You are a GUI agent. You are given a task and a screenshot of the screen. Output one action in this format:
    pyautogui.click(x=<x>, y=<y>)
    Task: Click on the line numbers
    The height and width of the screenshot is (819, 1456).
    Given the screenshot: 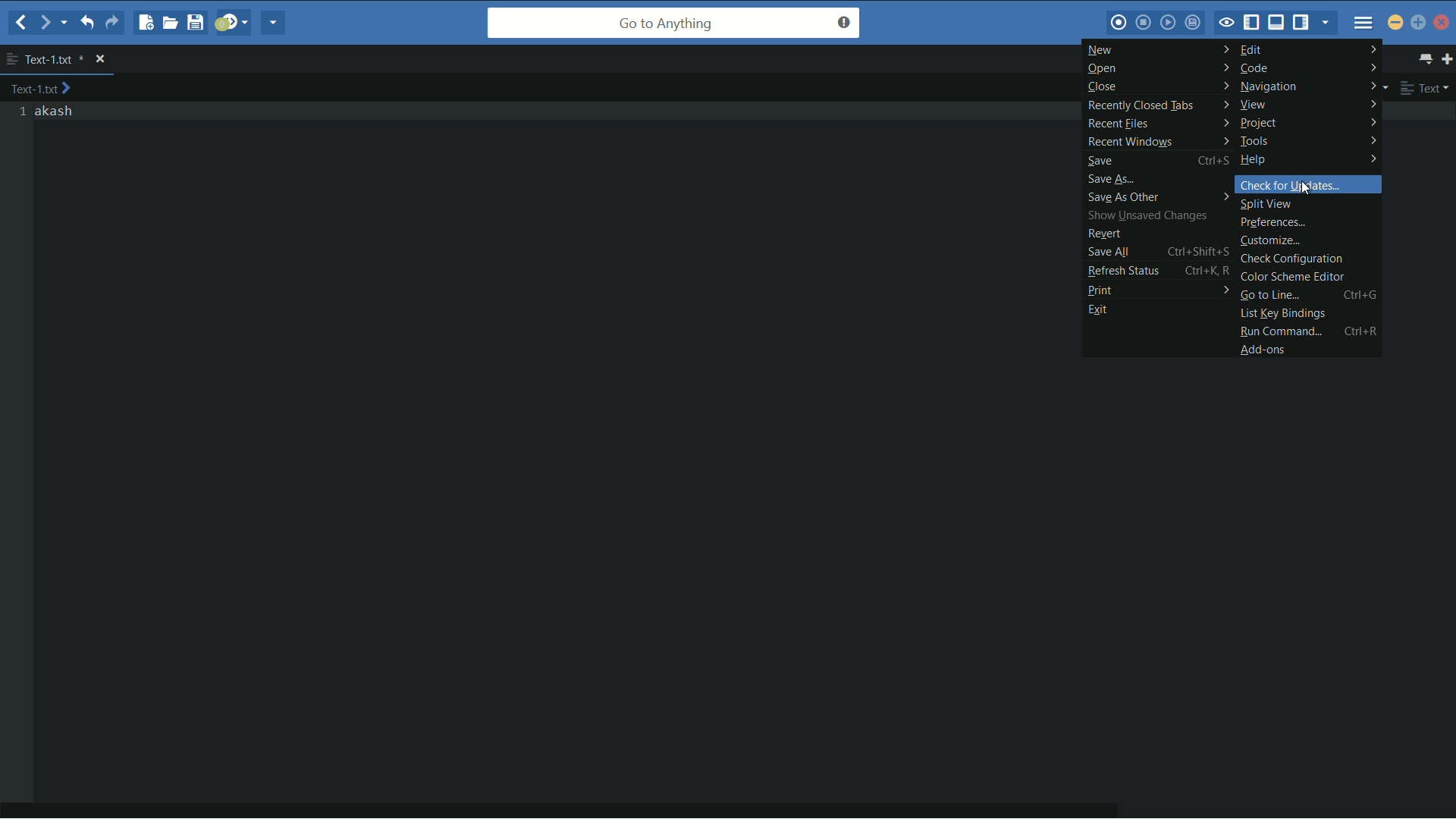 What is the action you would take?
    pyautogui.click(x=20, y=113)
    